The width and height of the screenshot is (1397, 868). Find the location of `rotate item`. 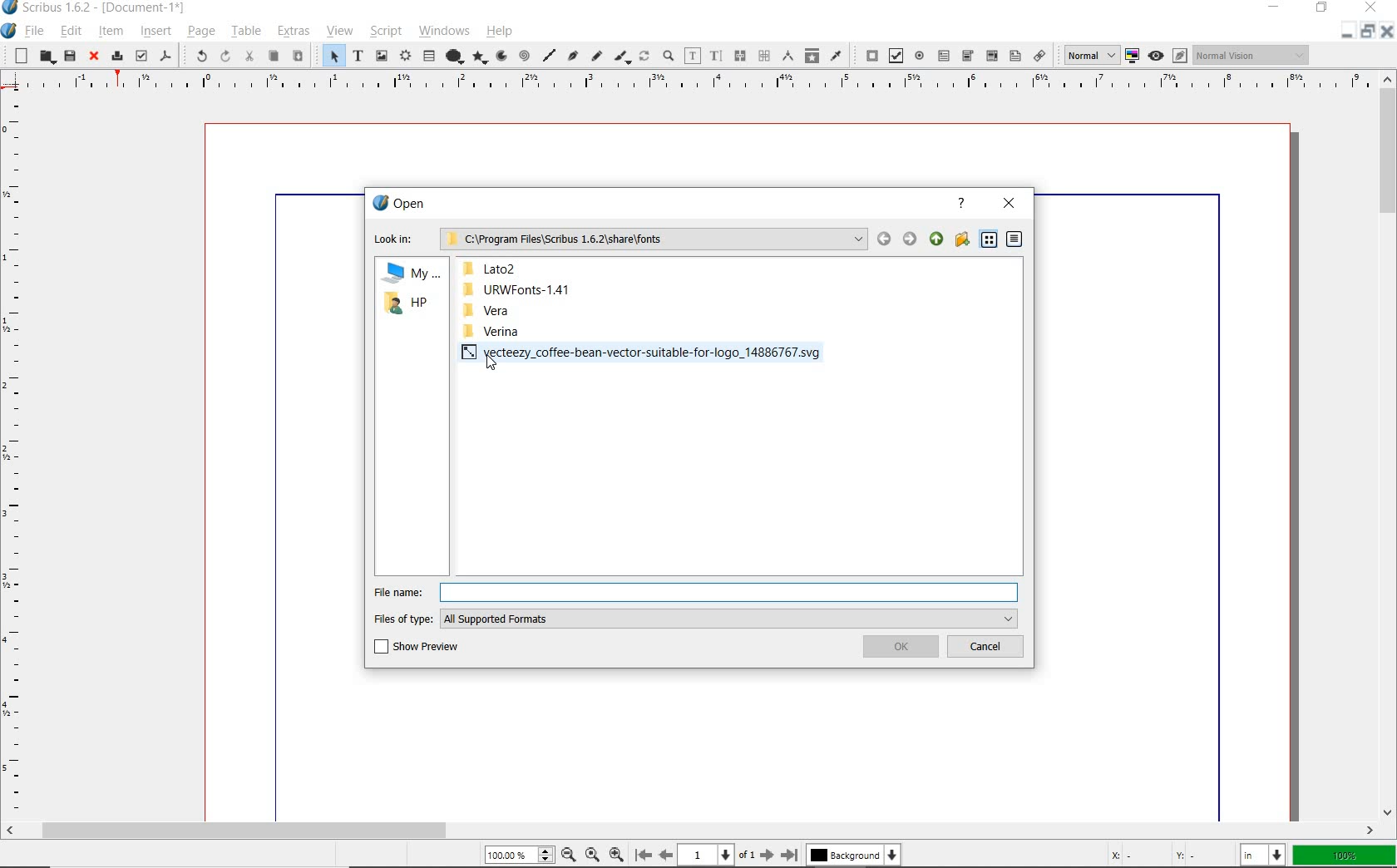

rotate item is located at coordinates (644, 55).